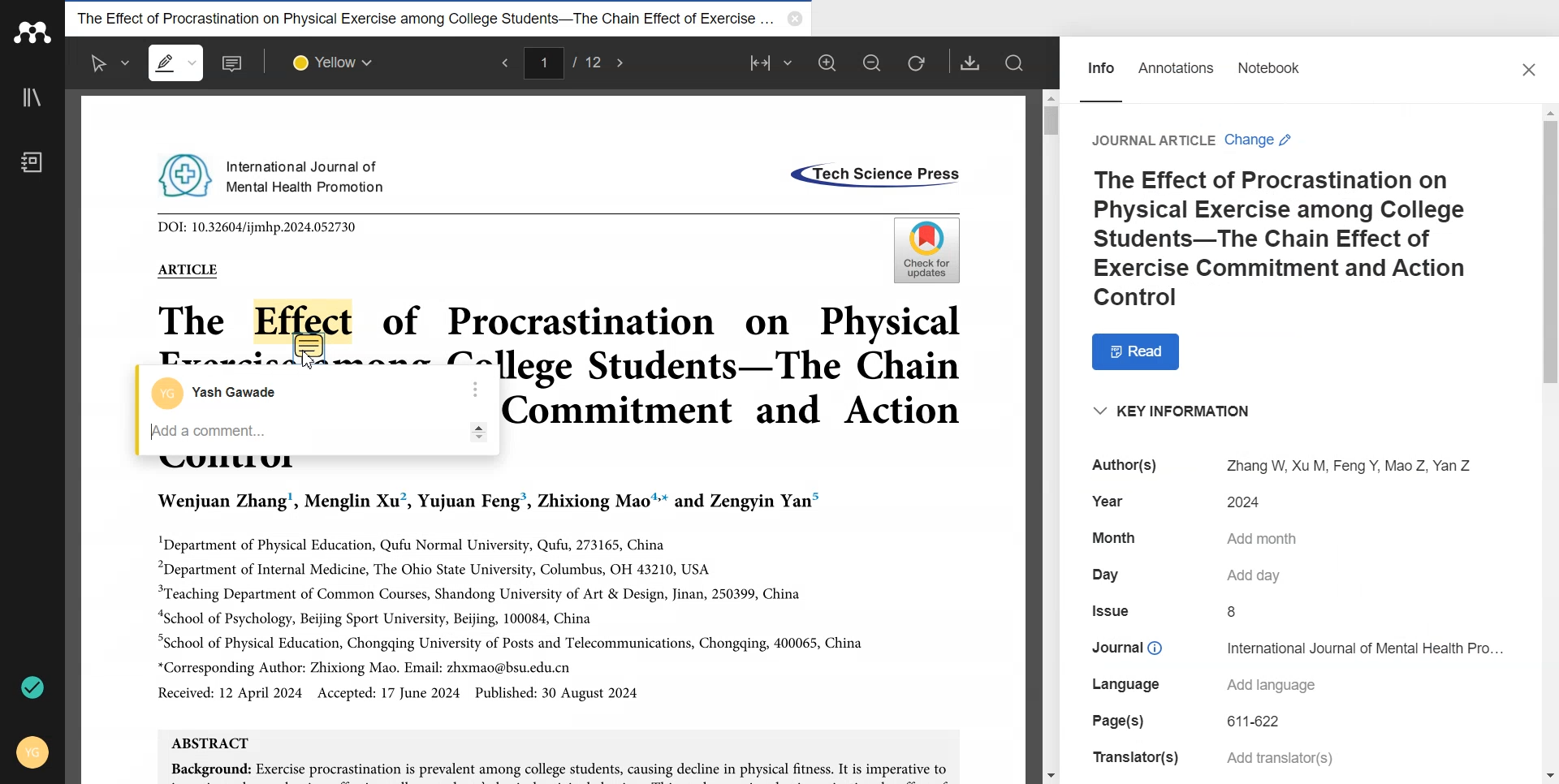 The height and width of the screenshot is (784, 1559). What do you see at coordinates (1293, 239) in the screenshot?
I see ` The Effect of Procrastination on Physical Exercise among College Students-The Chain Effect of Exercise Commitment and Action Control` at bounding box center [1293, 239].